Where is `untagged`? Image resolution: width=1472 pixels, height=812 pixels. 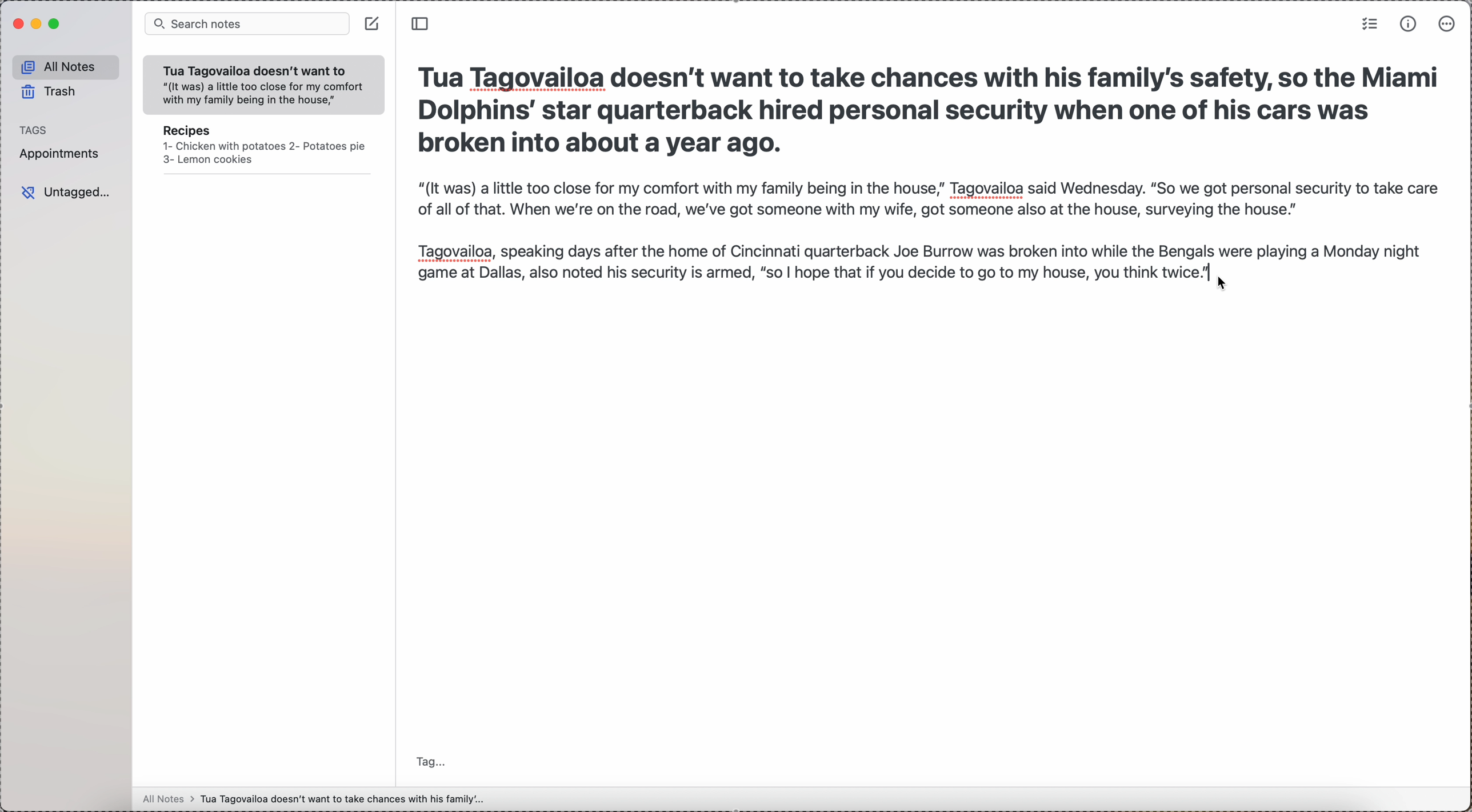
untagged is located at coordinates (66, 190).